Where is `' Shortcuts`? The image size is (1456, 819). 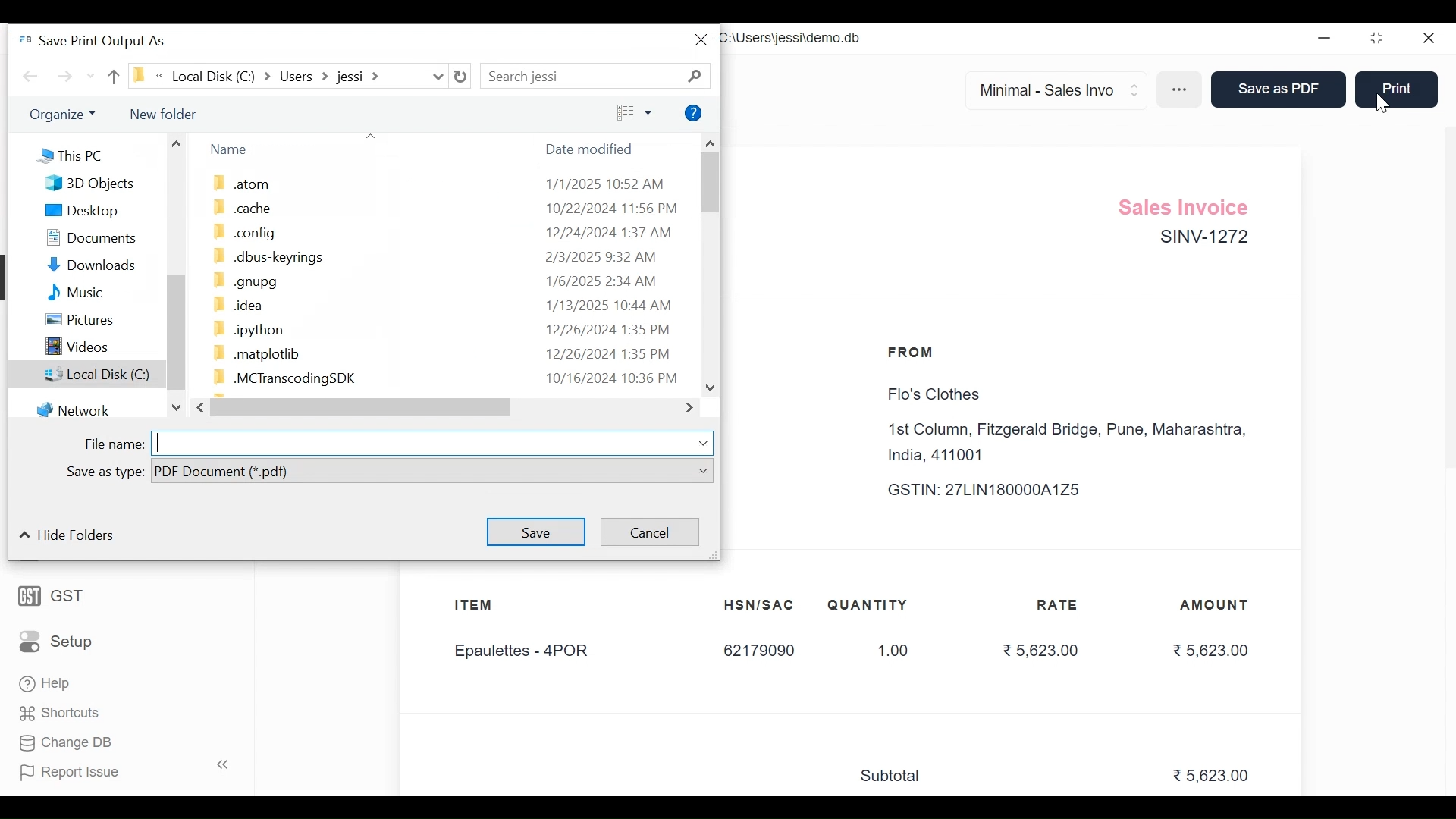
' Shortcuts is located at coordinates (64, 713).